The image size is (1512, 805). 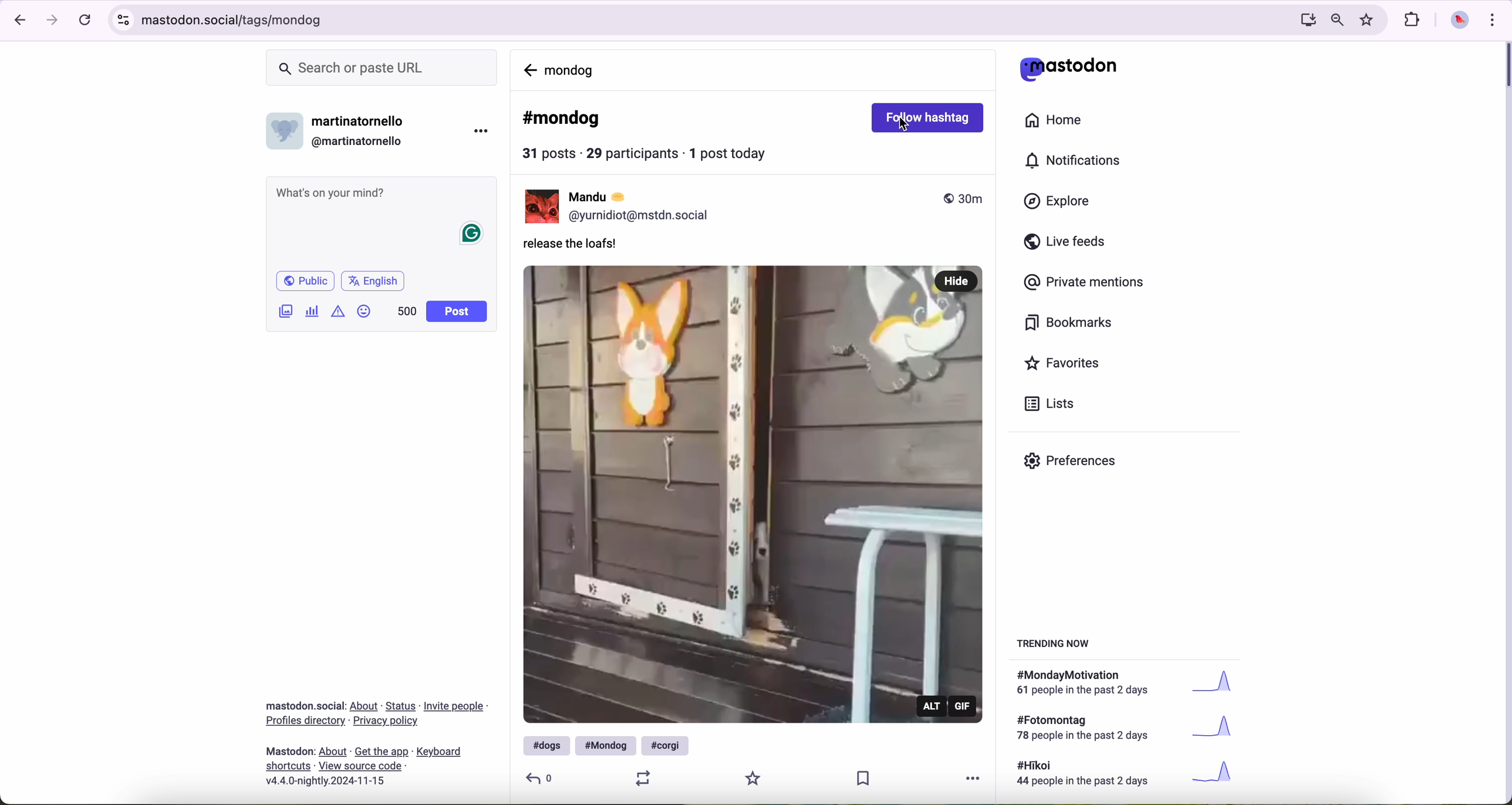 What do you see at coordinates (1460, 22) in the screenshot?
I see `profile picture` at bounding box center [1460, 22].